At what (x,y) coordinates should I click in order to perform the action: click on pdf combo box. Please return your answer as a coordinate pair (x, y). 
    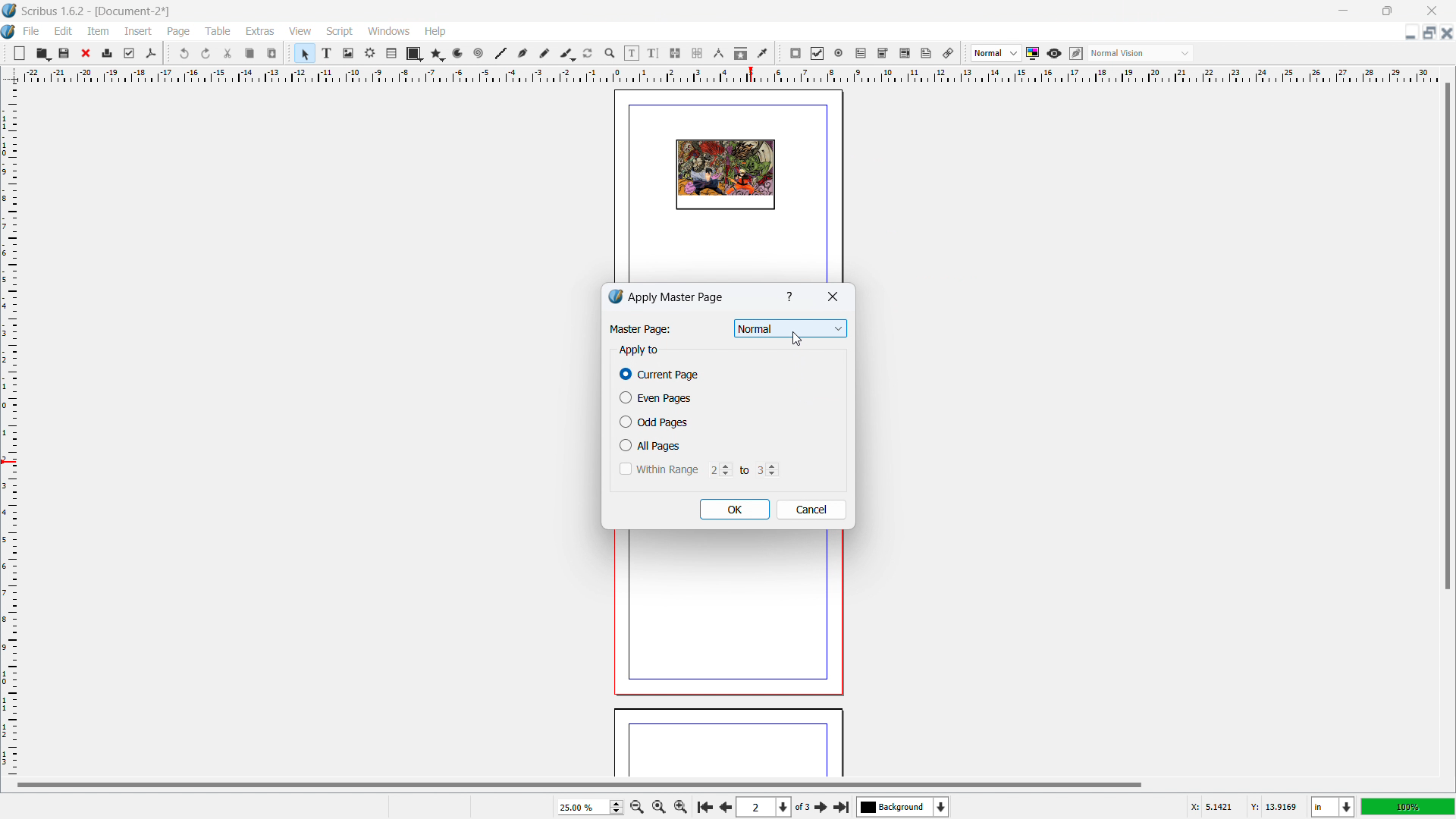
    Looking at the image, I should click on (882, 53).